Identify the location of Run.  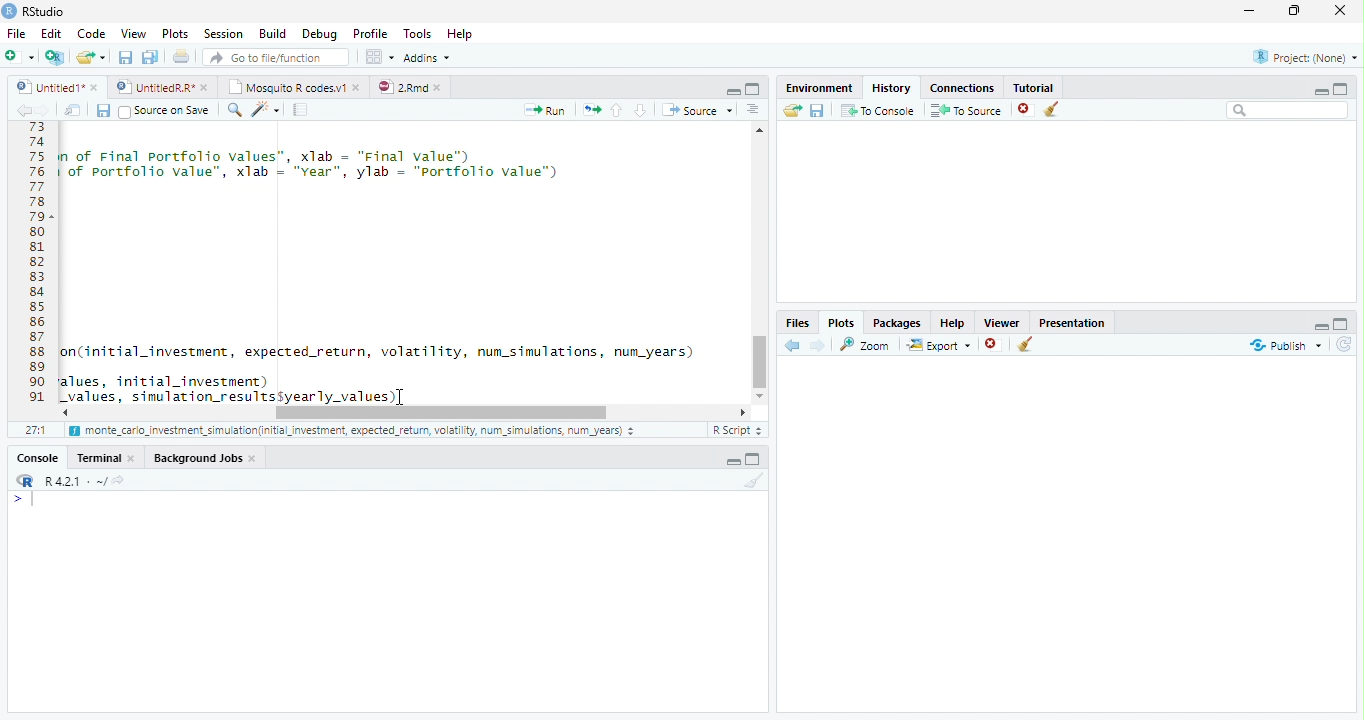
(546, 110).